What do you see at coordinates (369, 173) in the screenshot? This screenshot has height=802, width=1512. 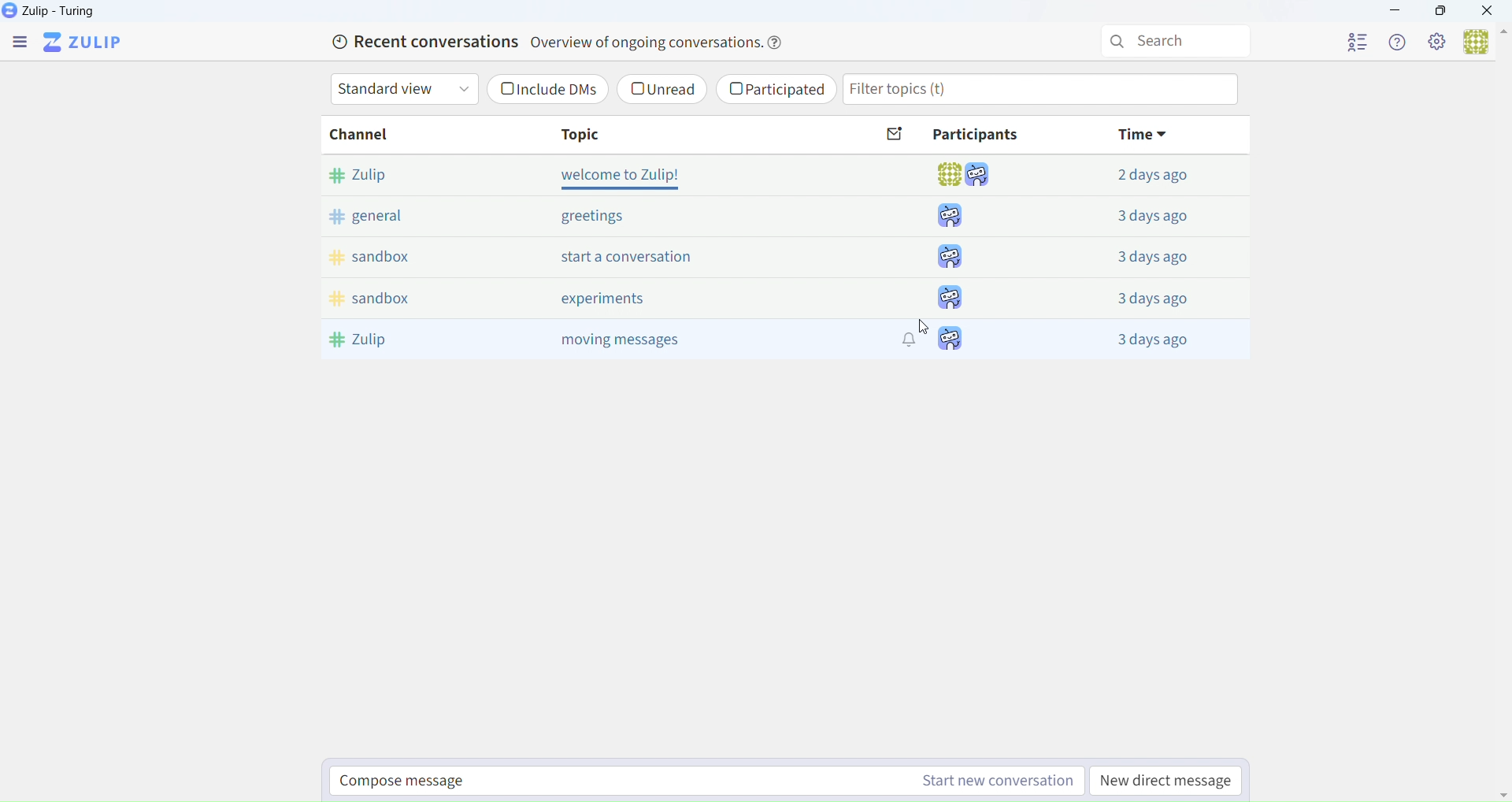 I see `zulip` at bounding box center [369, 173].